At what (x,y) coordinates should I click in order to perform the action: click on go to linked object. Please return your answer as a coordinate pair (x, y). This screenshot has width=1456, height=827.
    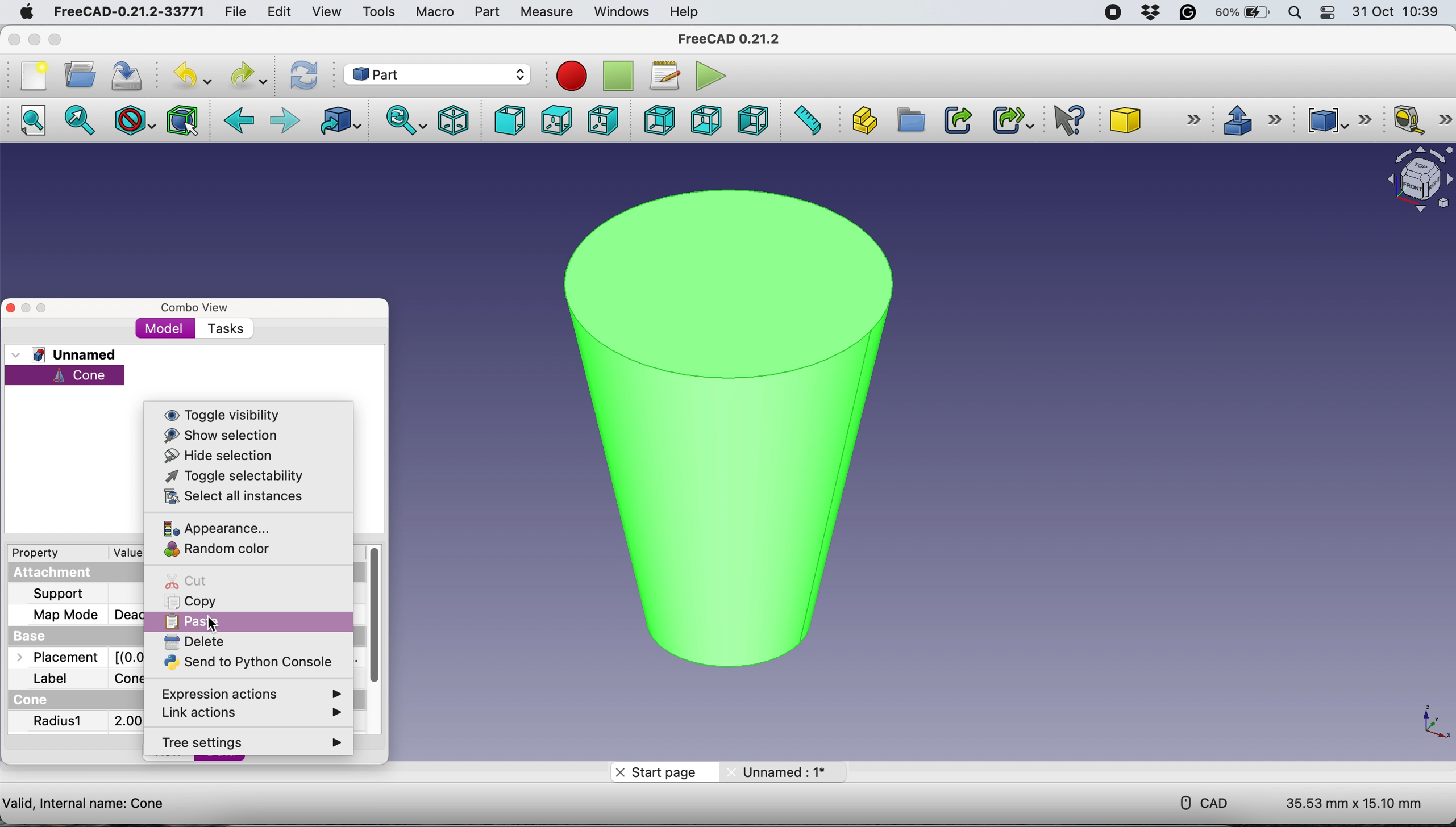
    Looking at the image, I should click on (337, 122).